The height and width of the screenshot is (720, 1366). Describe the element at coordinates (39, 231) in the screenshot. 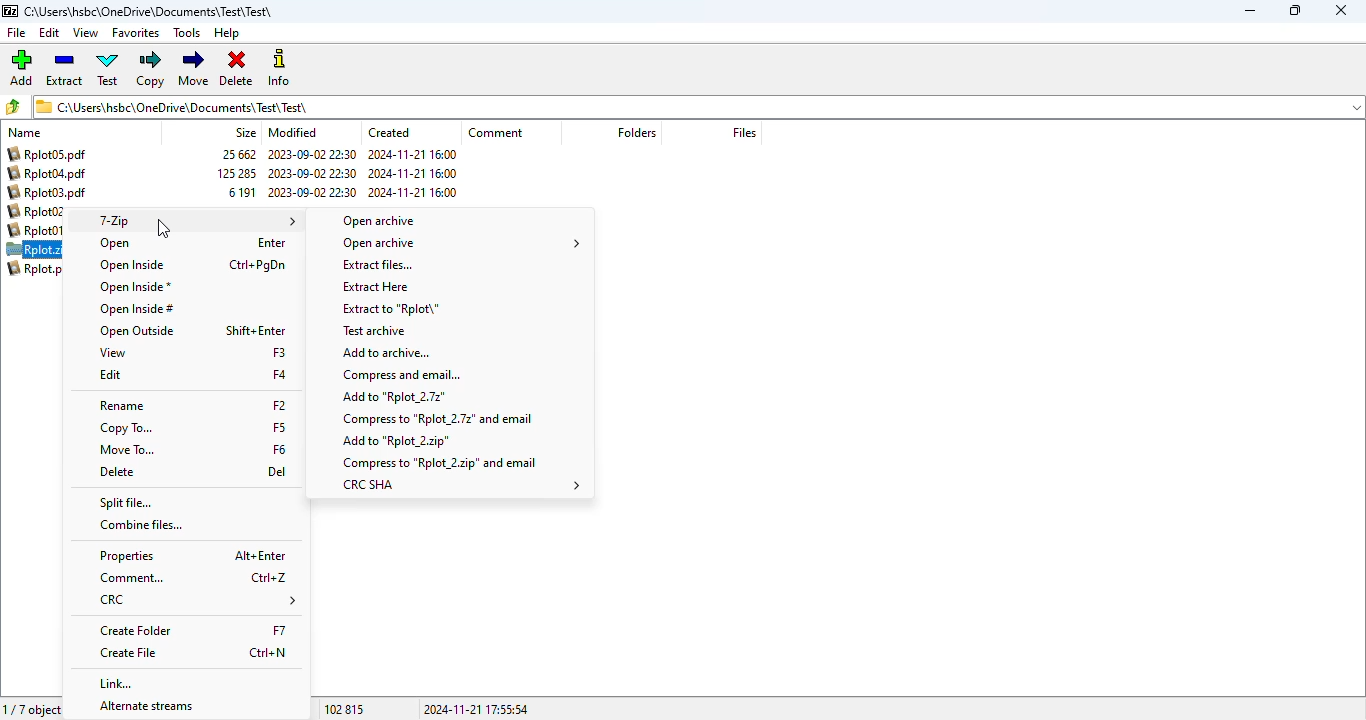

I see `Rplot01.pdf` at that location.